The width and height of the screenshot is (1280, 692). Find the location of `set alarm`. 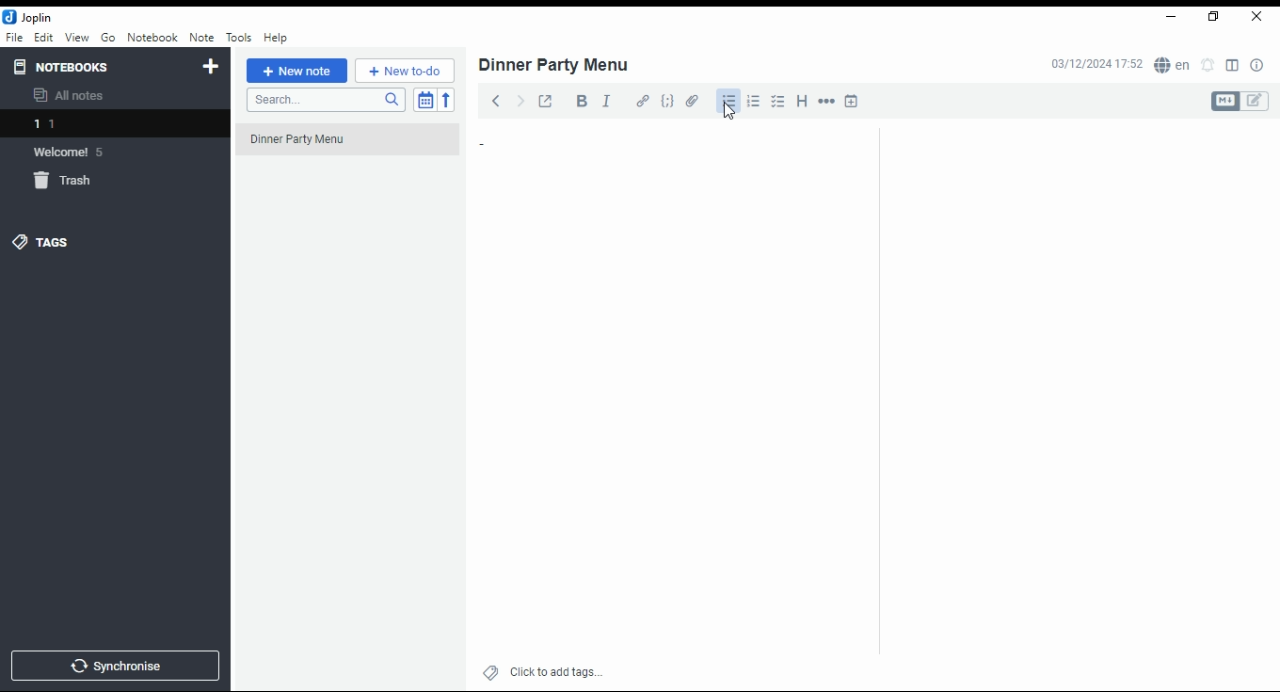

set alarm is located at coordinates (1208, 65).